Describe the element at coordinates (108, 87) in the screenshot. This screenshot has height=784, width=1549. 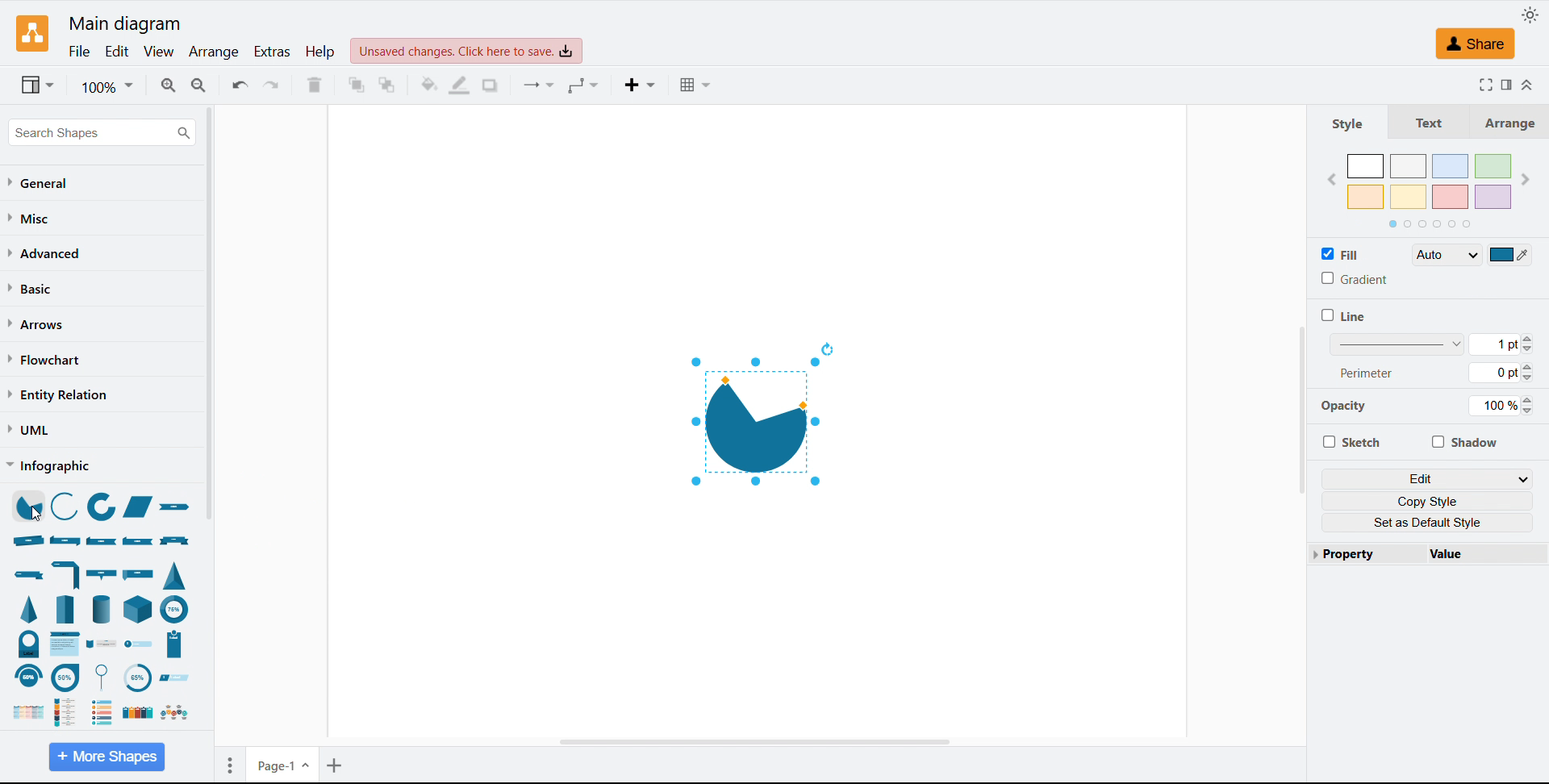
I see `Zoom level ` at that location.